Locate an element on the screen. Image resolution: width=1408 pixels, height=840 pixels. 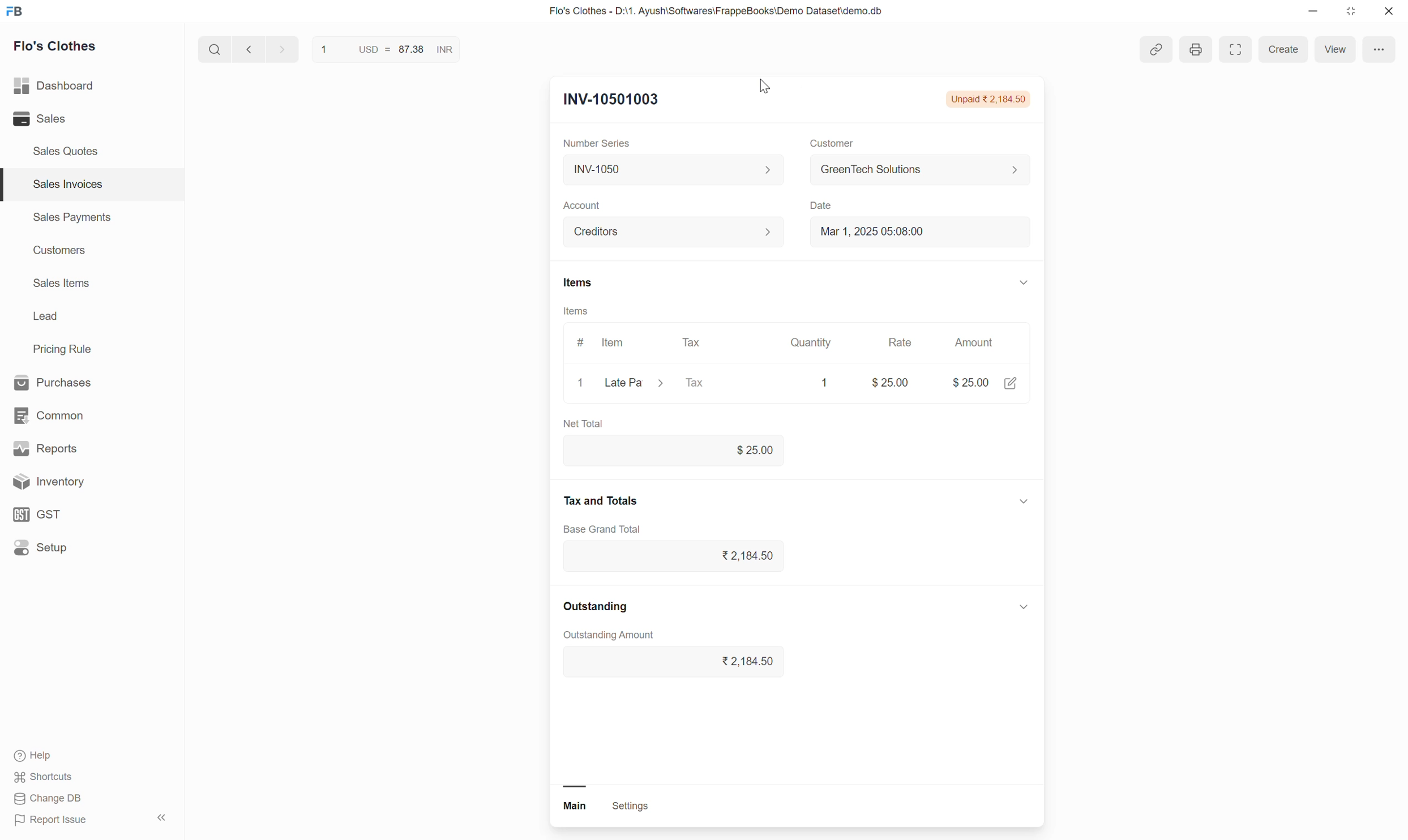
Frappe Book logo is located at coordinates (18, 12).